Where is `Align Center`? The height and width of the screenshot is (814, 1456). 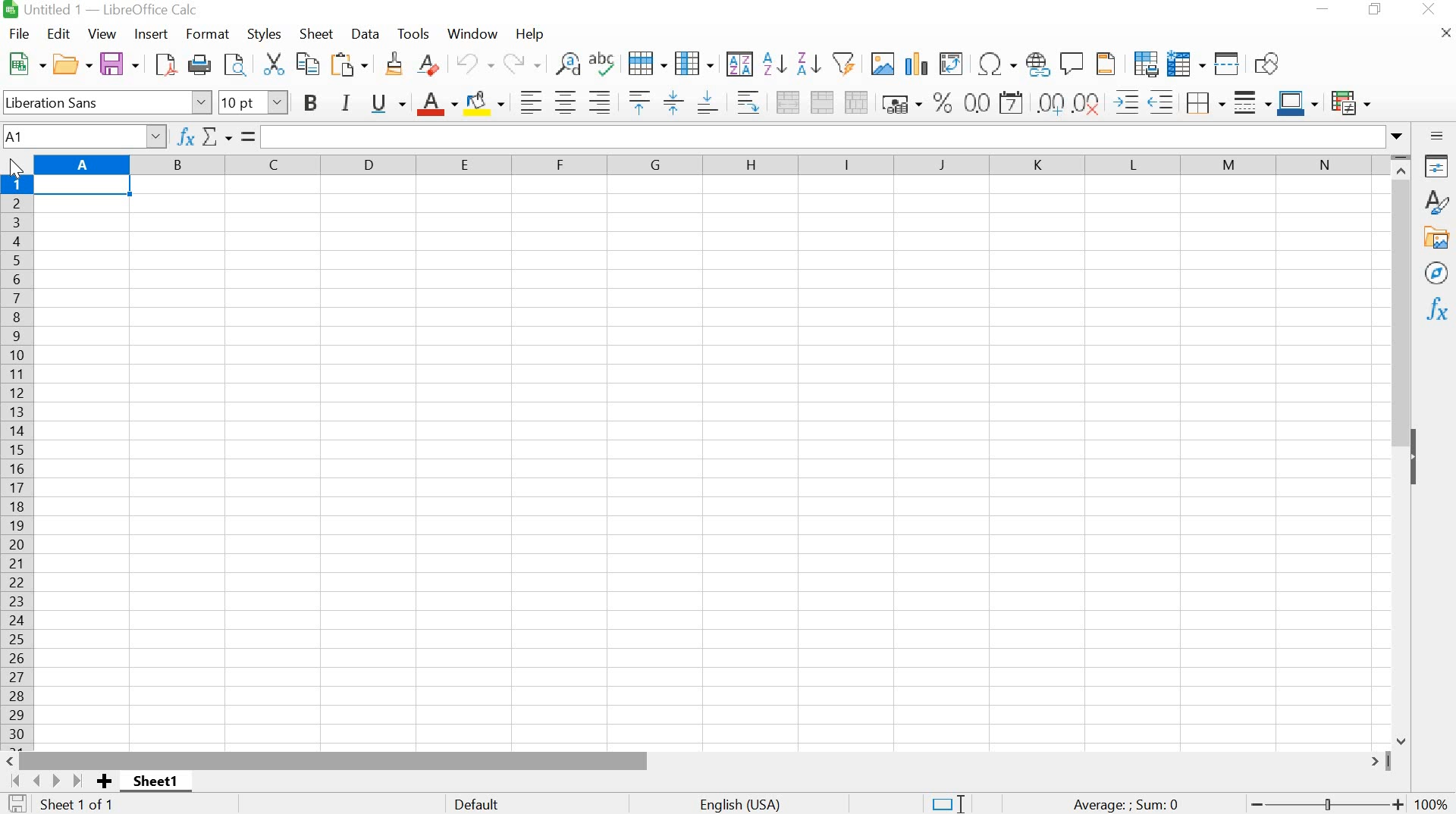
Align Center is located at coordinates (565, 103).